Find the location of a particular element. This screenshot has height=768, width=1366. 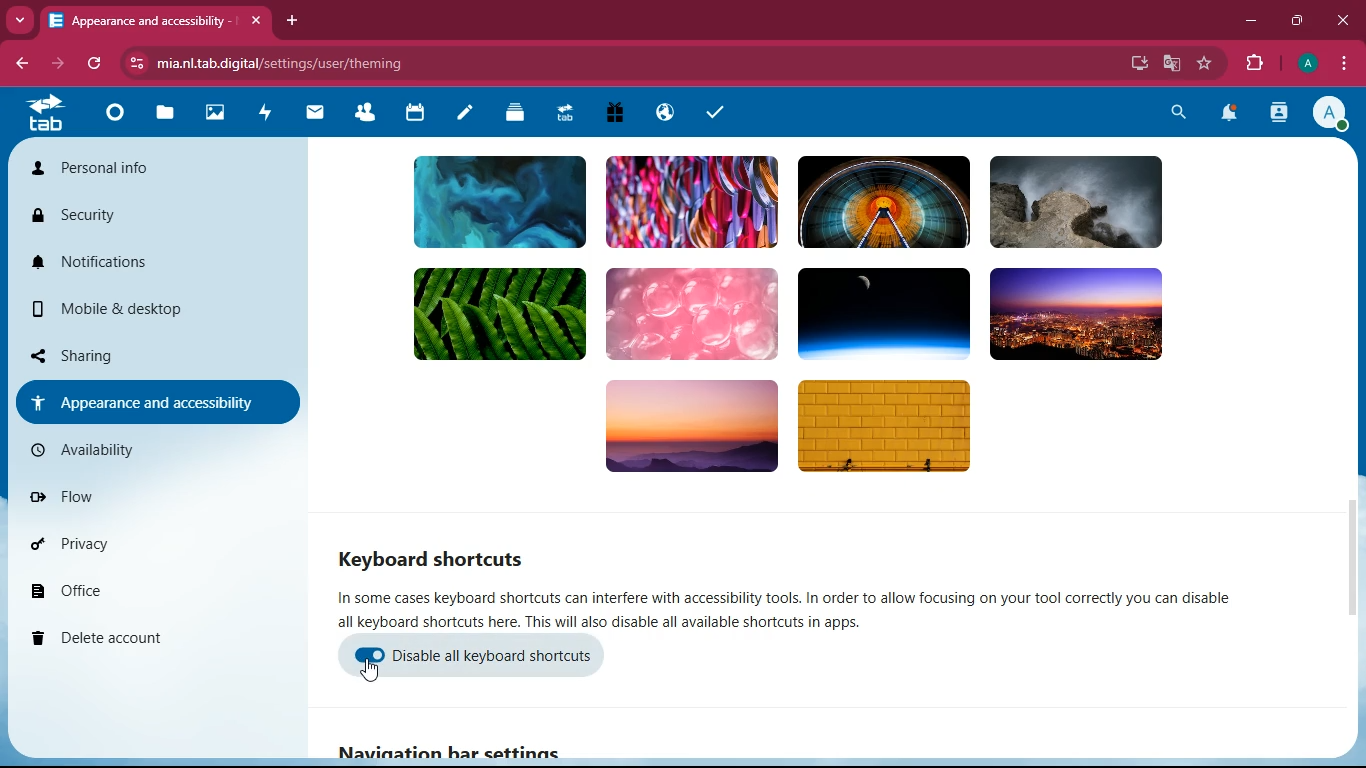

images is located at coordinates (215, 113).